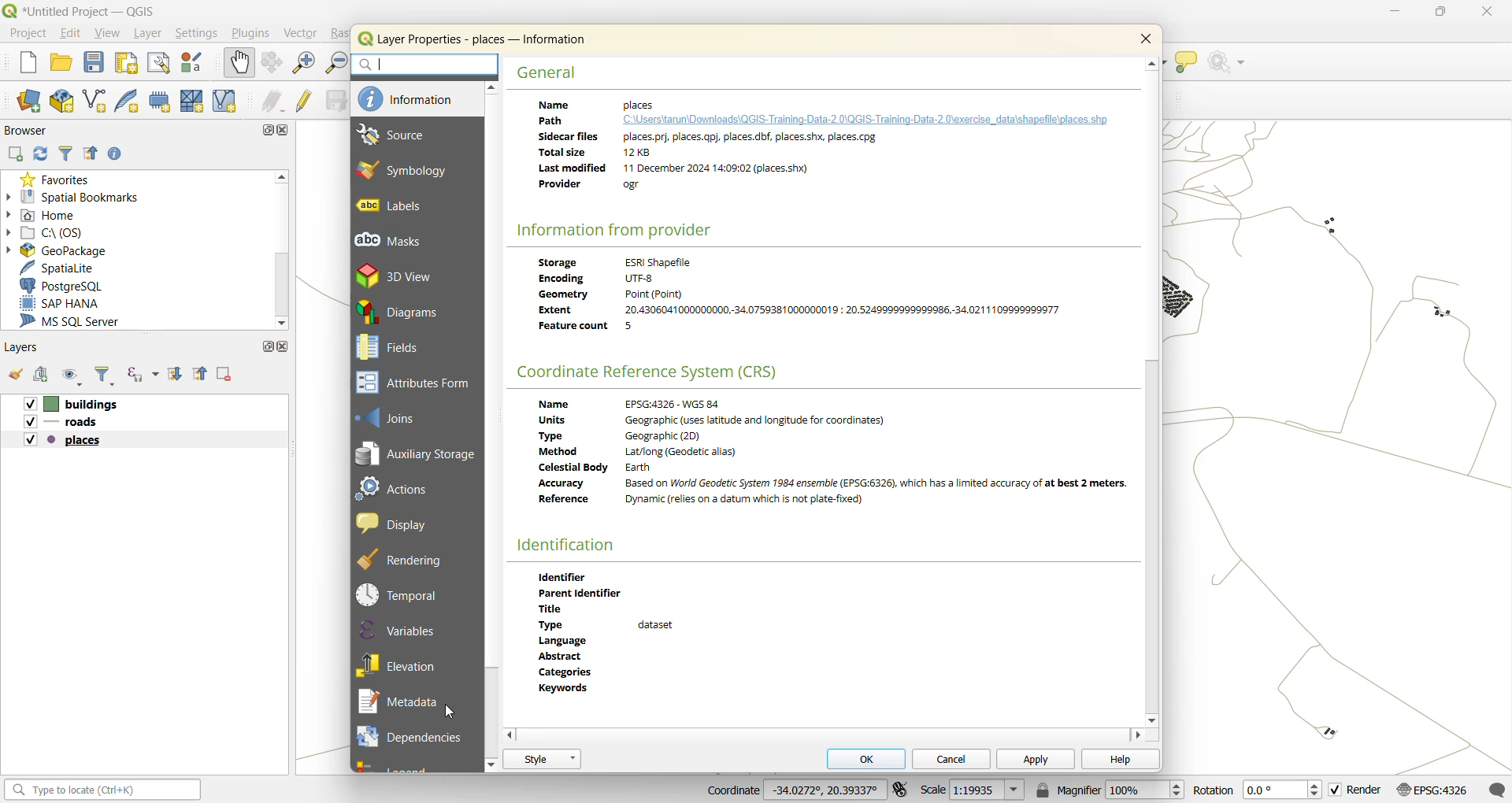 This screenshot has height=803, width=1512. What do you see at coordinates (281, 283) in the screenshot?
I see `scroll bar` at bounding box center [281, 283].